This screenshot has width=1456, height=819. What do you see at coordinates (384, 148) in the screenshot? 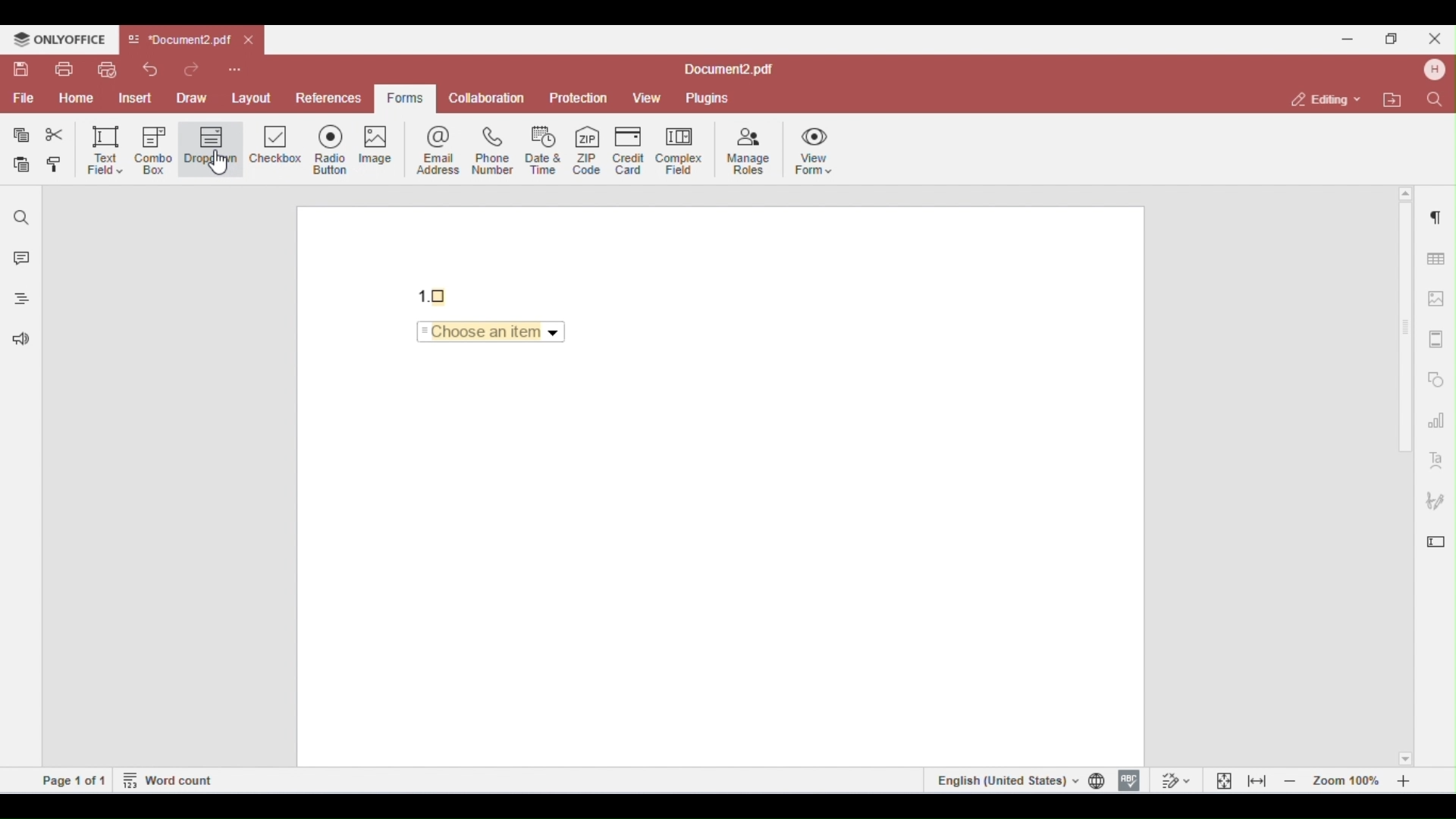
I see `image` at bounding box center [384, 148].